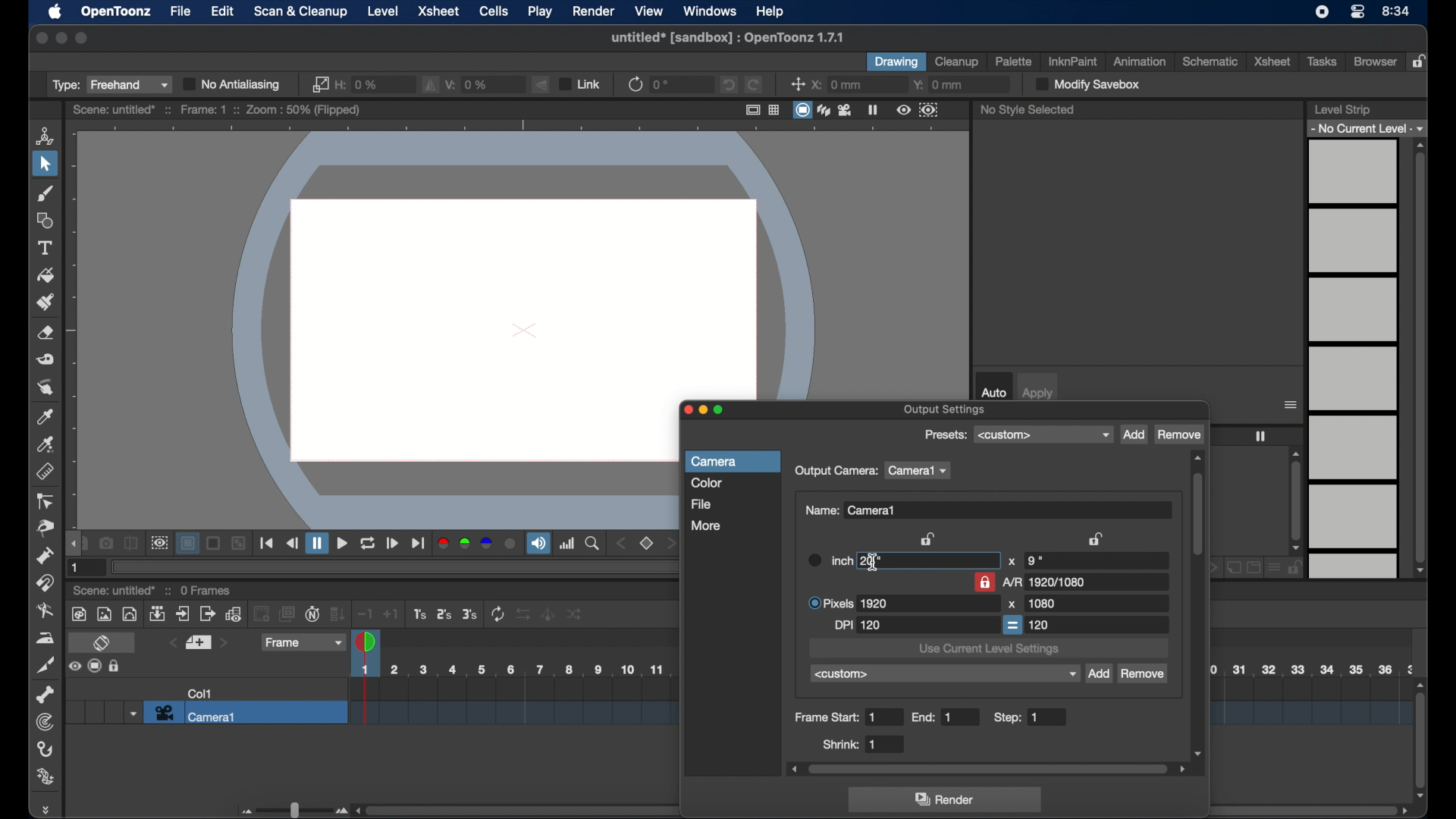 The image size is (1456, 819). I want to click on finger tool, so click(45, 388).